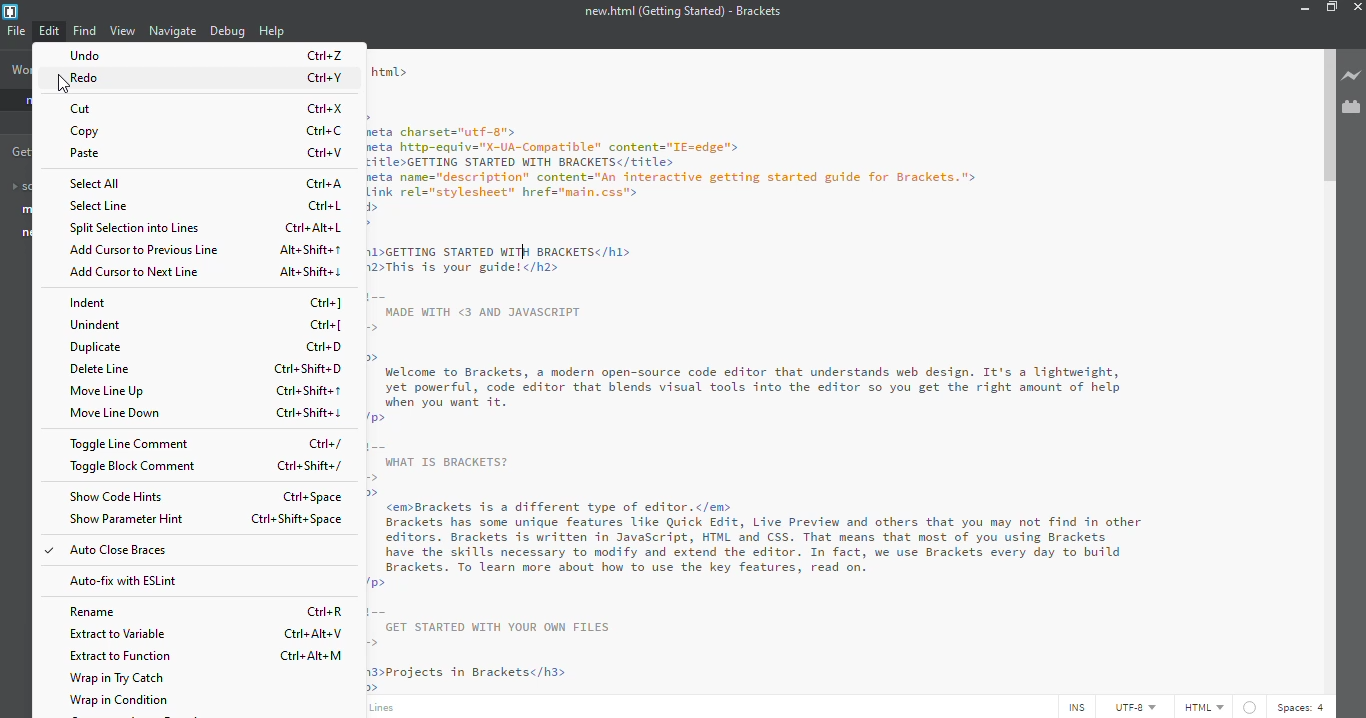 Image resolution: width=1366 pixels, height=718 pixels. Describe the element at coordinates (326, 154) in the screenshot. I see `ctrl+v` at that location.